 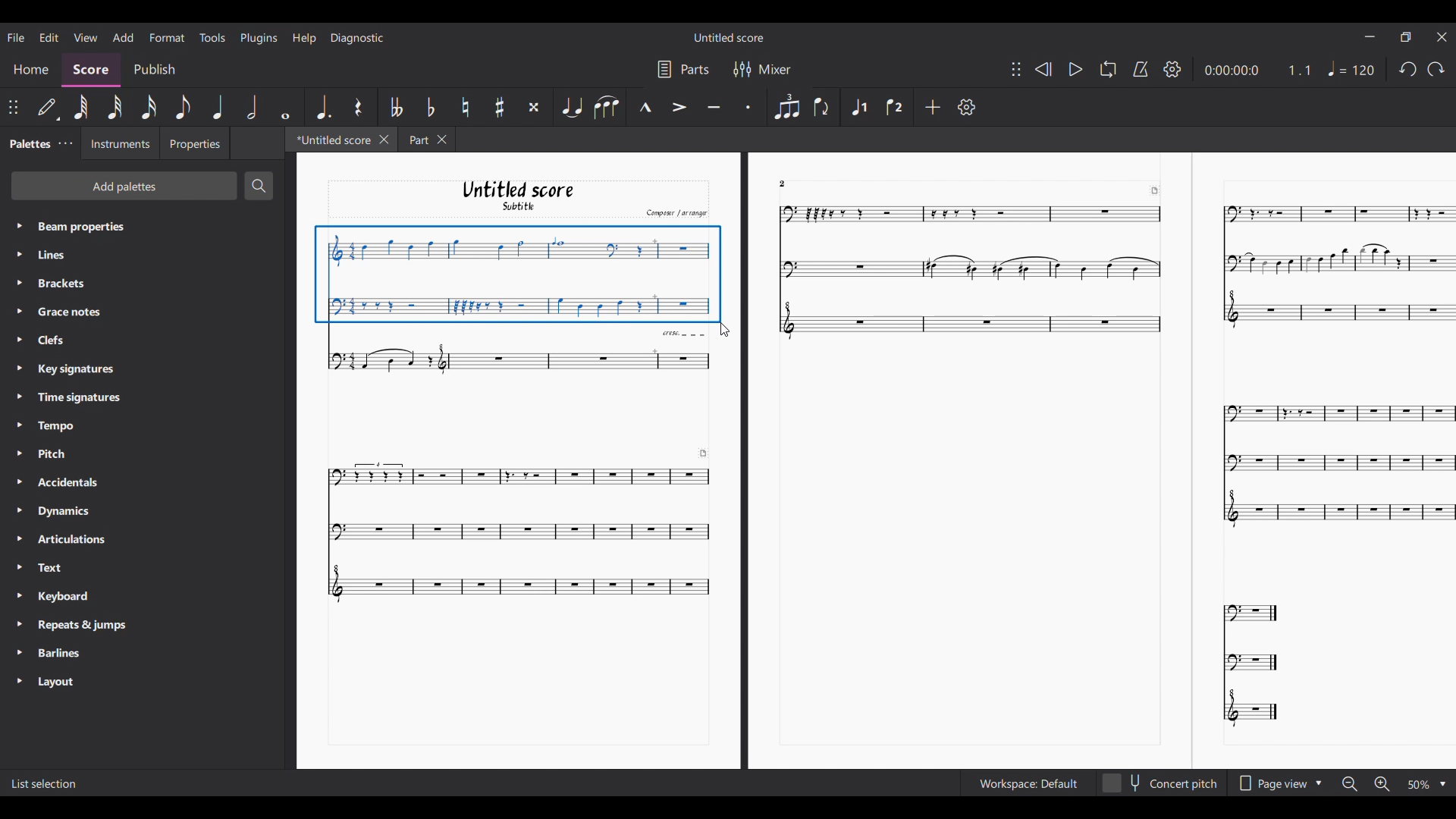 What do you see at coordinates (259, 38) in the screenshot?
I see `Plugins` at bounding box center [259, 38].